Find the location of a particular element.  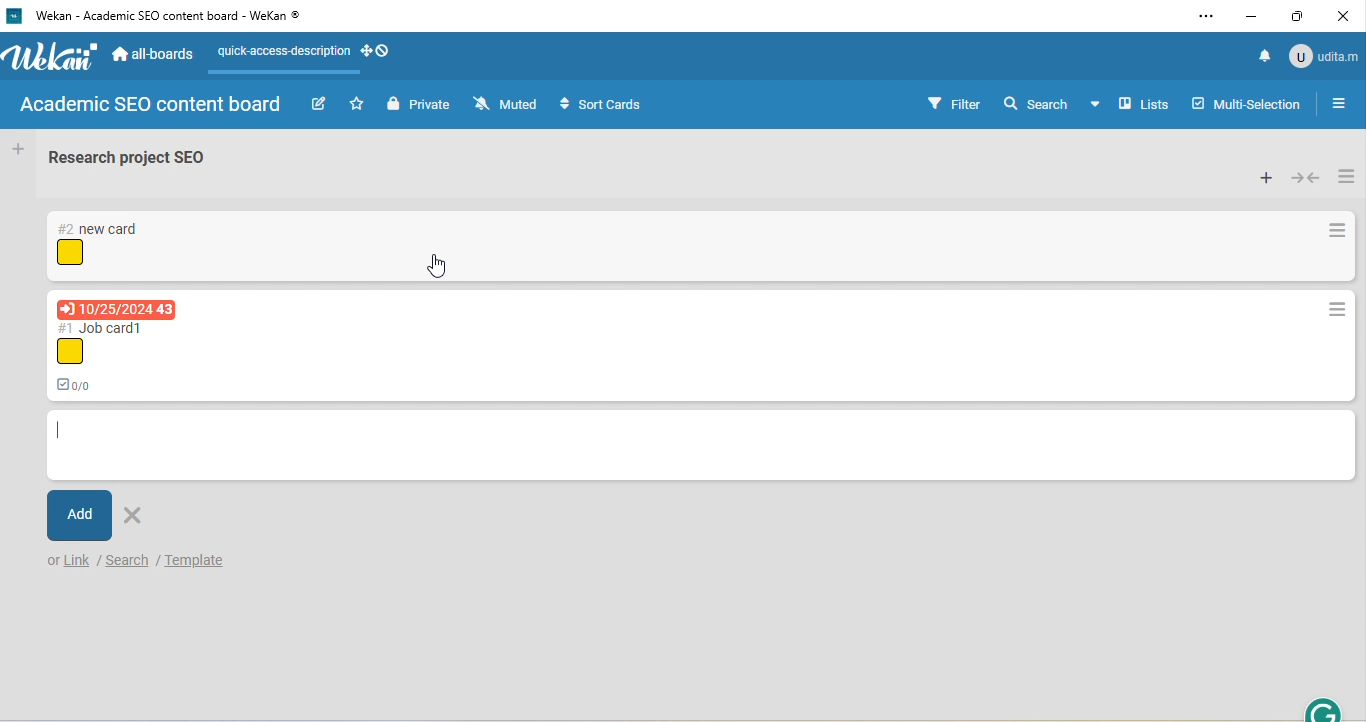

account is located at coordinates (1322, 55).